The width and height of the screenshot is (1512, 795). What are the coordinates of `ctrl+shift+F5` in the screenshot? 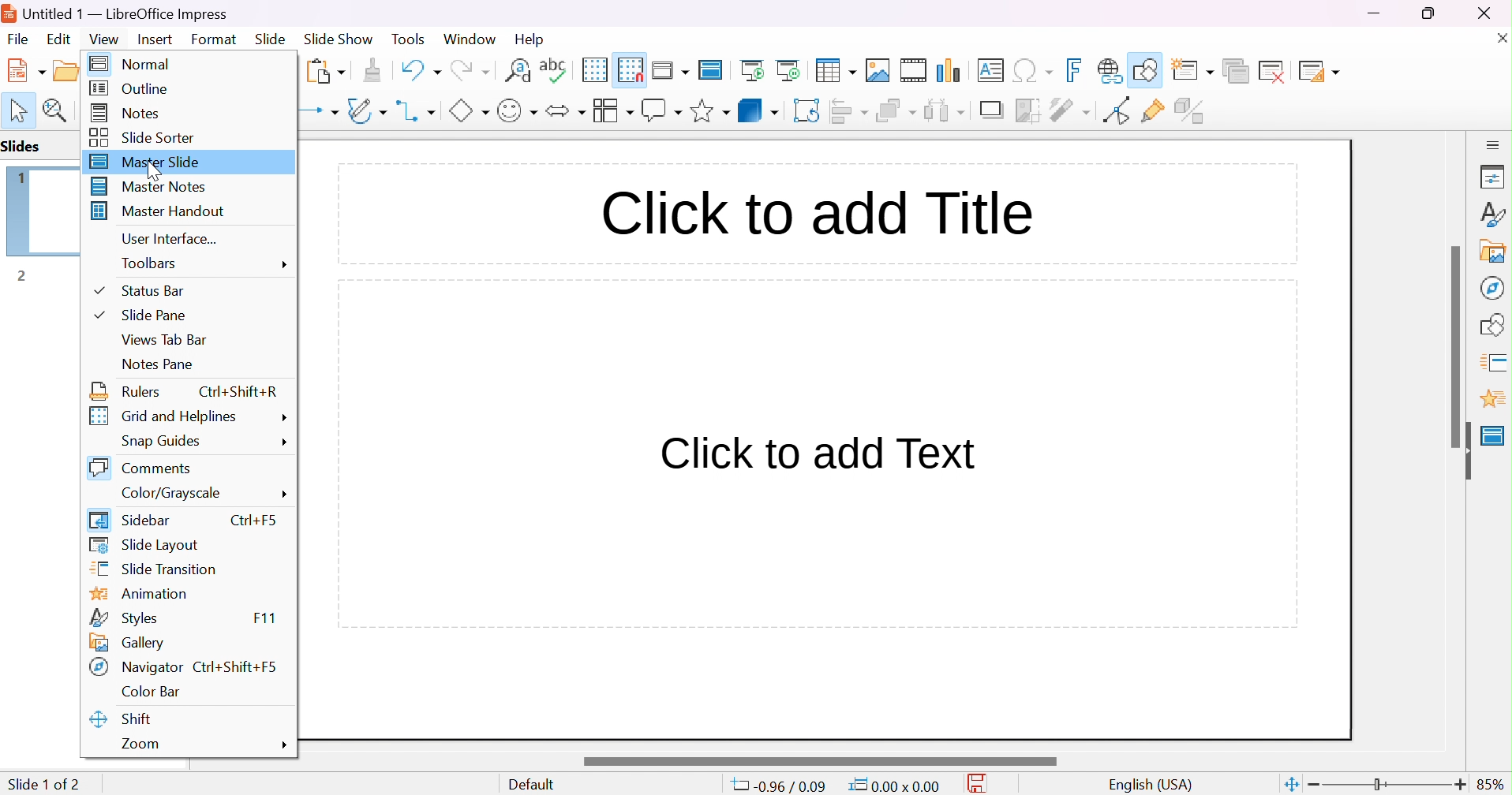 It's located at (234, 666).